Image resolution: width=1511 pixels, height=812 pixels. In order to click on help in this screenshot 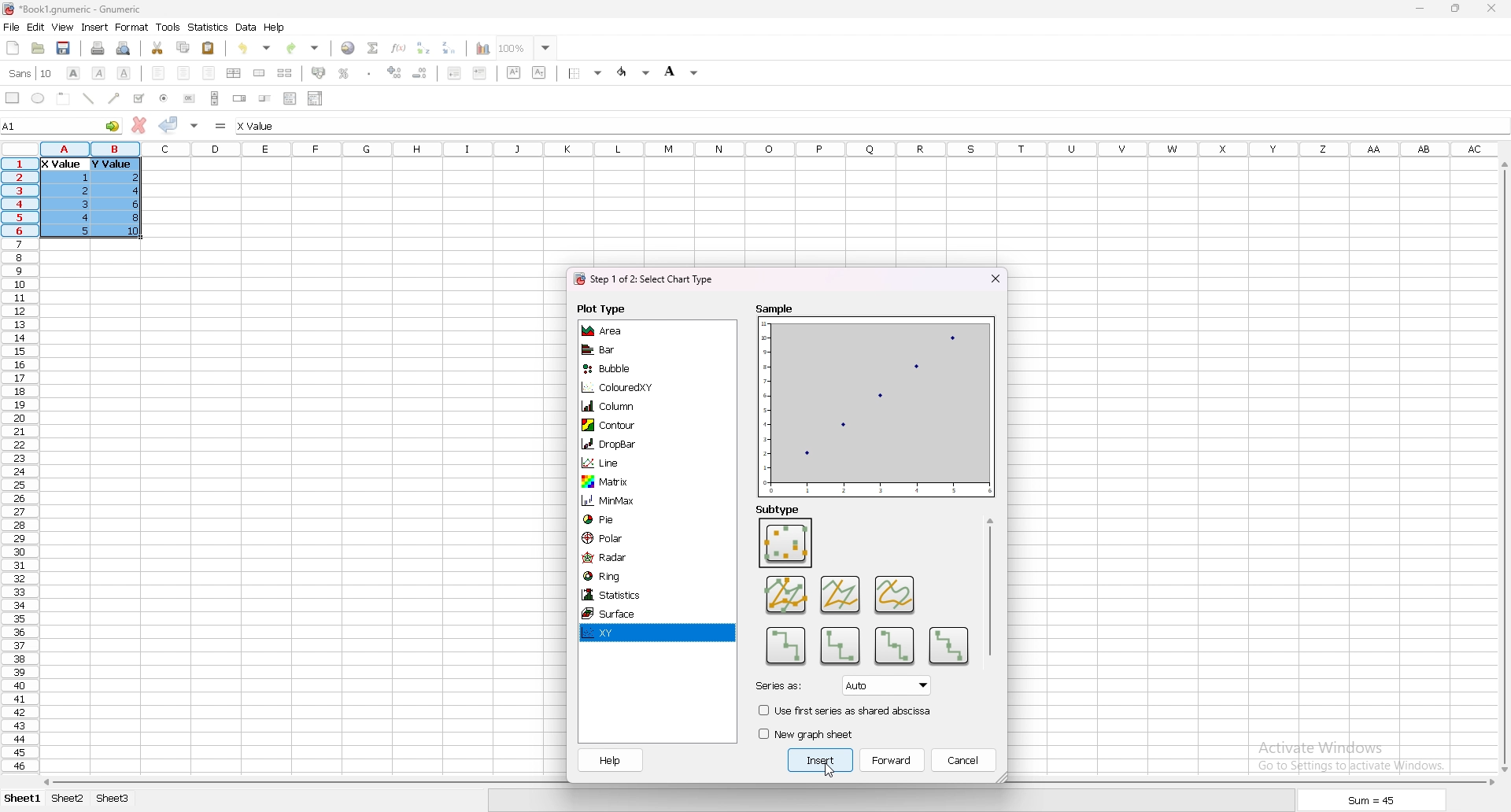, I will do `click(275, 27)`.